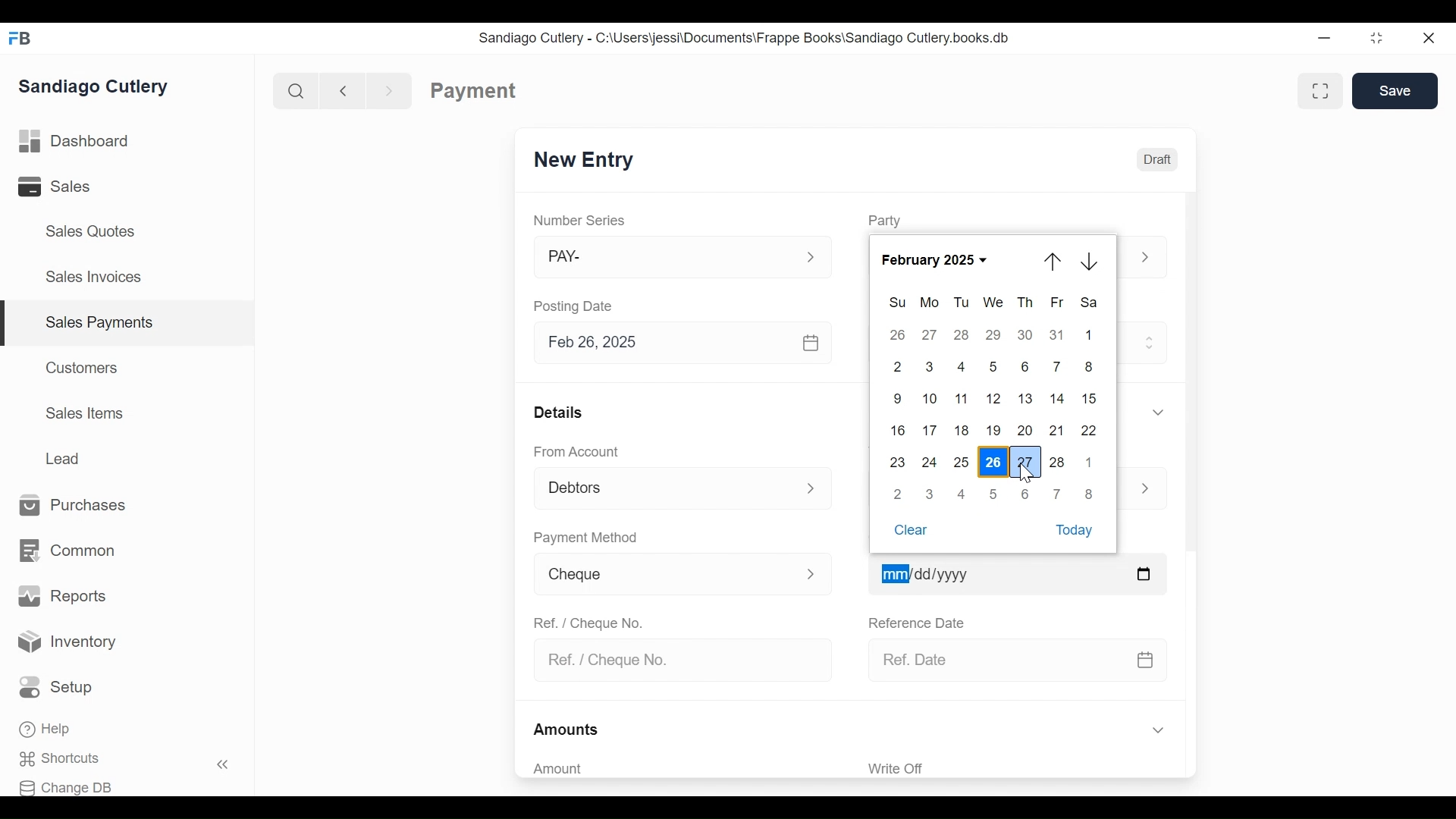 The image size is (1456, 819). Describe the element at coordinates (963, 494) in the screenshot. I see `4` at that location.